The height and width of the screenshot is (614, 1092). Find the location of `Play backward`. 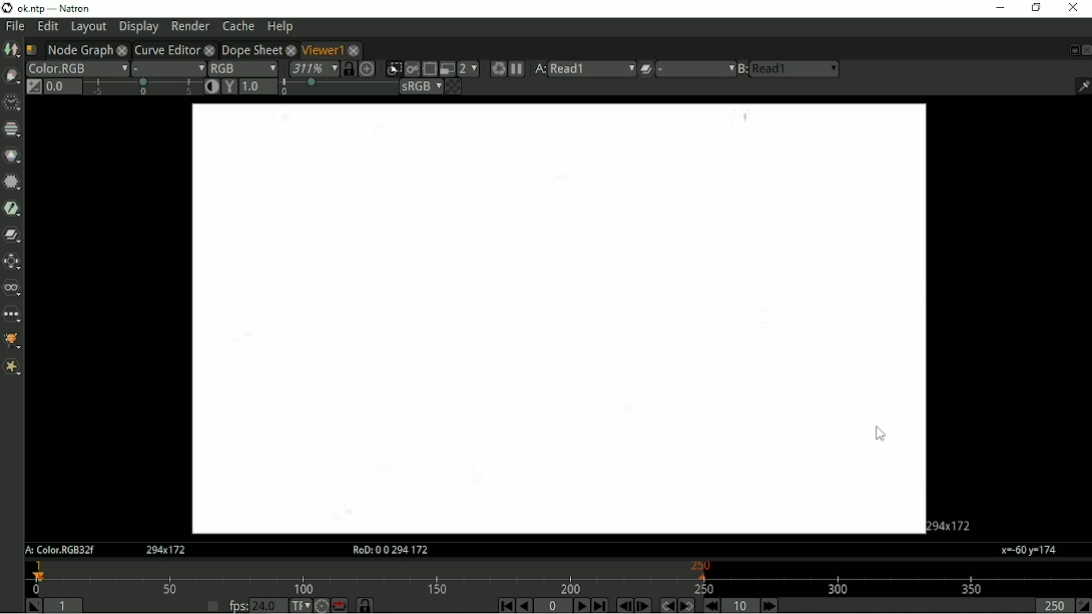

Play backward is located at coordinates (524, 605).